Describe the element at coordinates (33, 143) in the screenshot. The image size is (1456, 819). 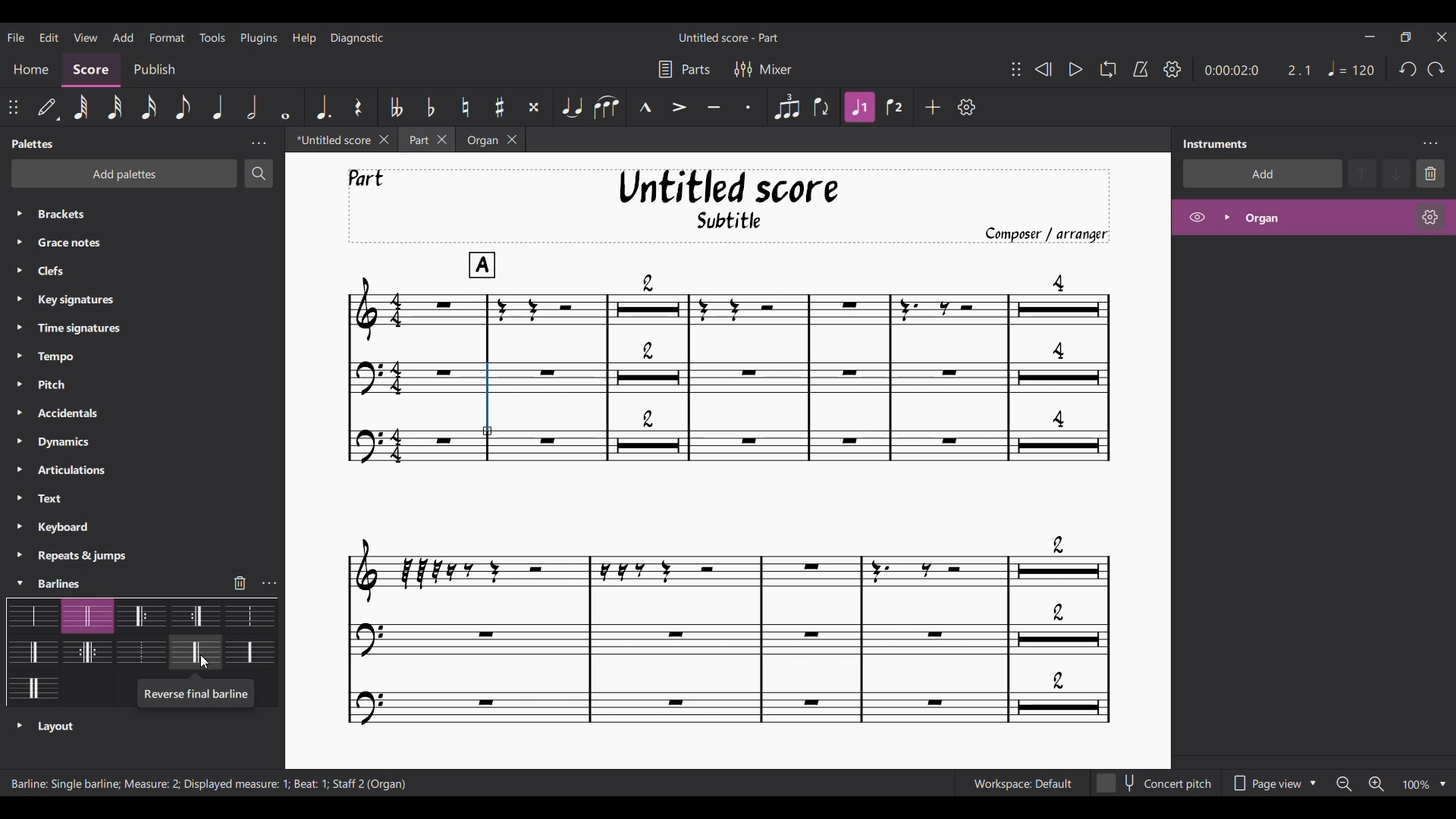
I see `Panel title` at that location.